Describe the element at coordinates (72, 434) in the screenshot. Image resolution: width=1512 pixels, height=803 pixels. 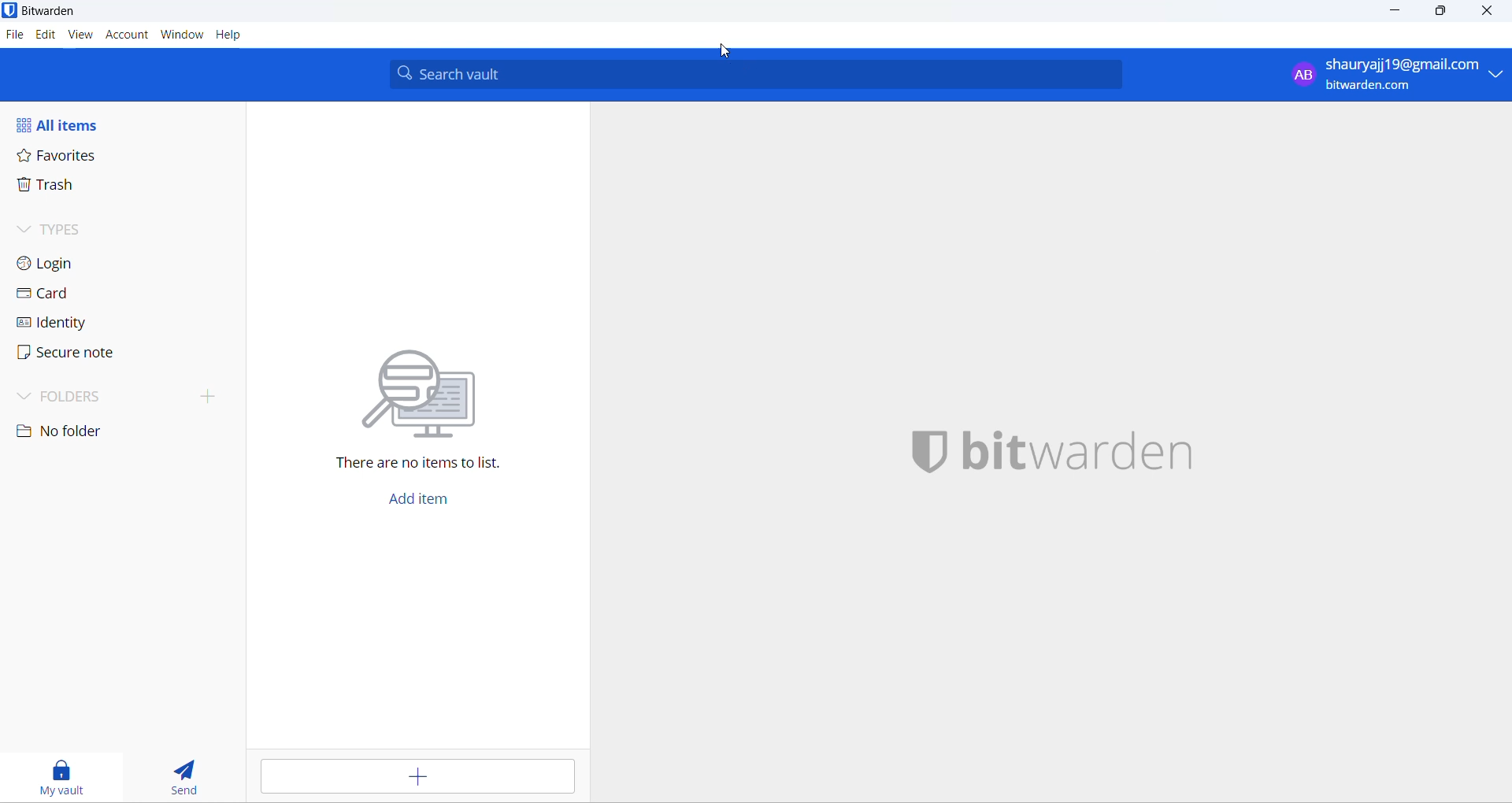
I see `no folder` at that location.